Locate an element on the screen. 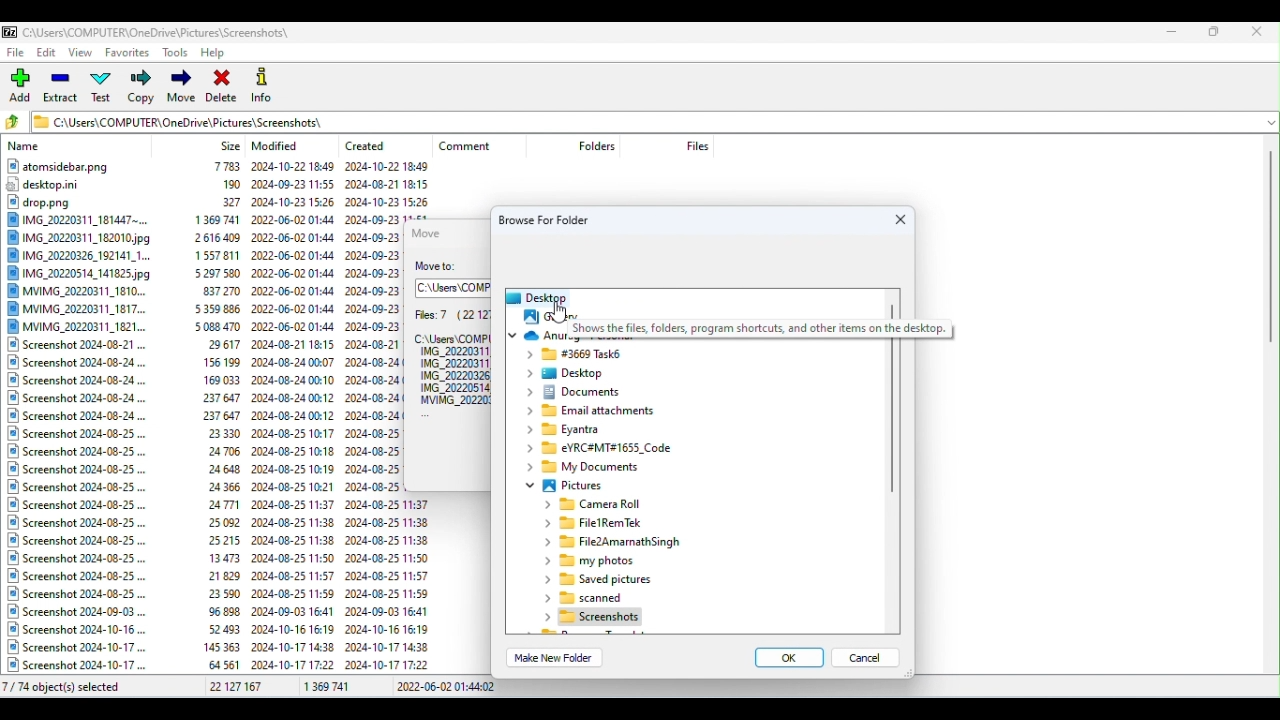 The width and height of the screenshot is (1280, 720). Modified is located at coordinates (279, 146).